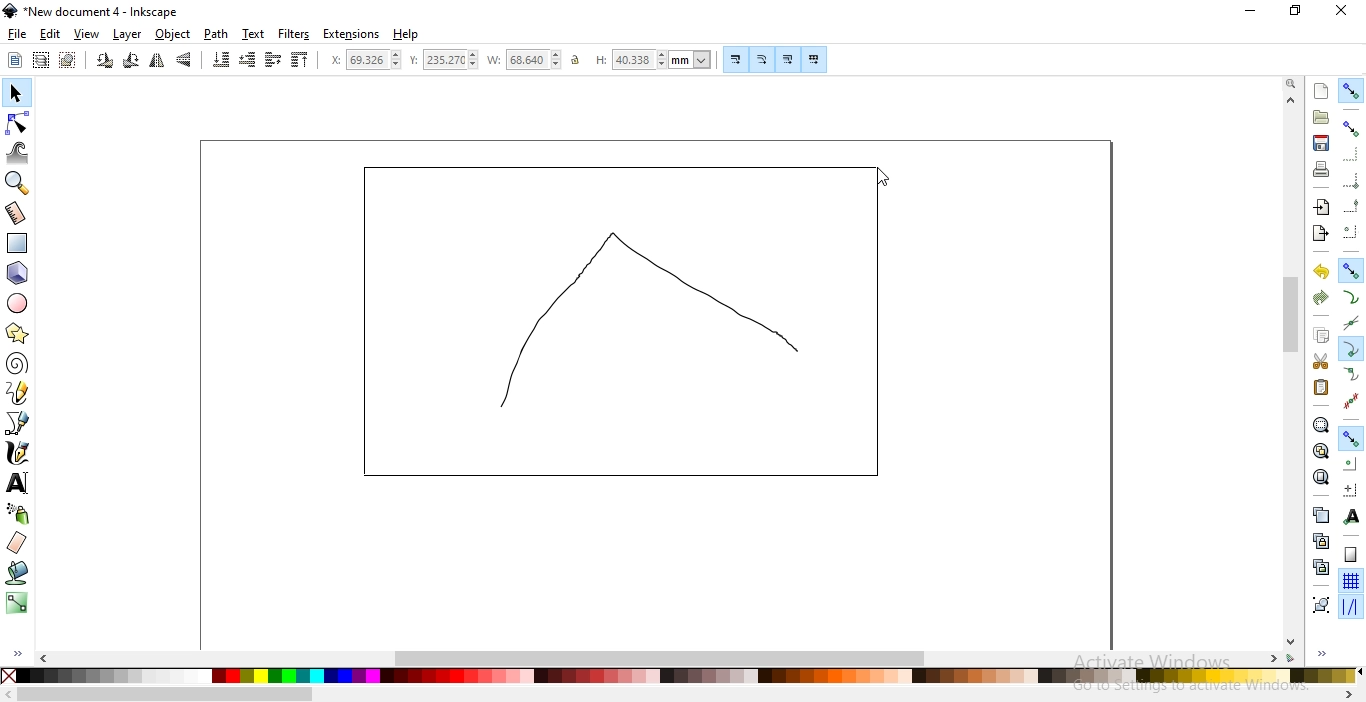 The width and height of the screenshot is (1366, 702). Describe the element at coordinates (103, 61) in the screenshot. I see `rotate 90 counter clockwise` at that location.